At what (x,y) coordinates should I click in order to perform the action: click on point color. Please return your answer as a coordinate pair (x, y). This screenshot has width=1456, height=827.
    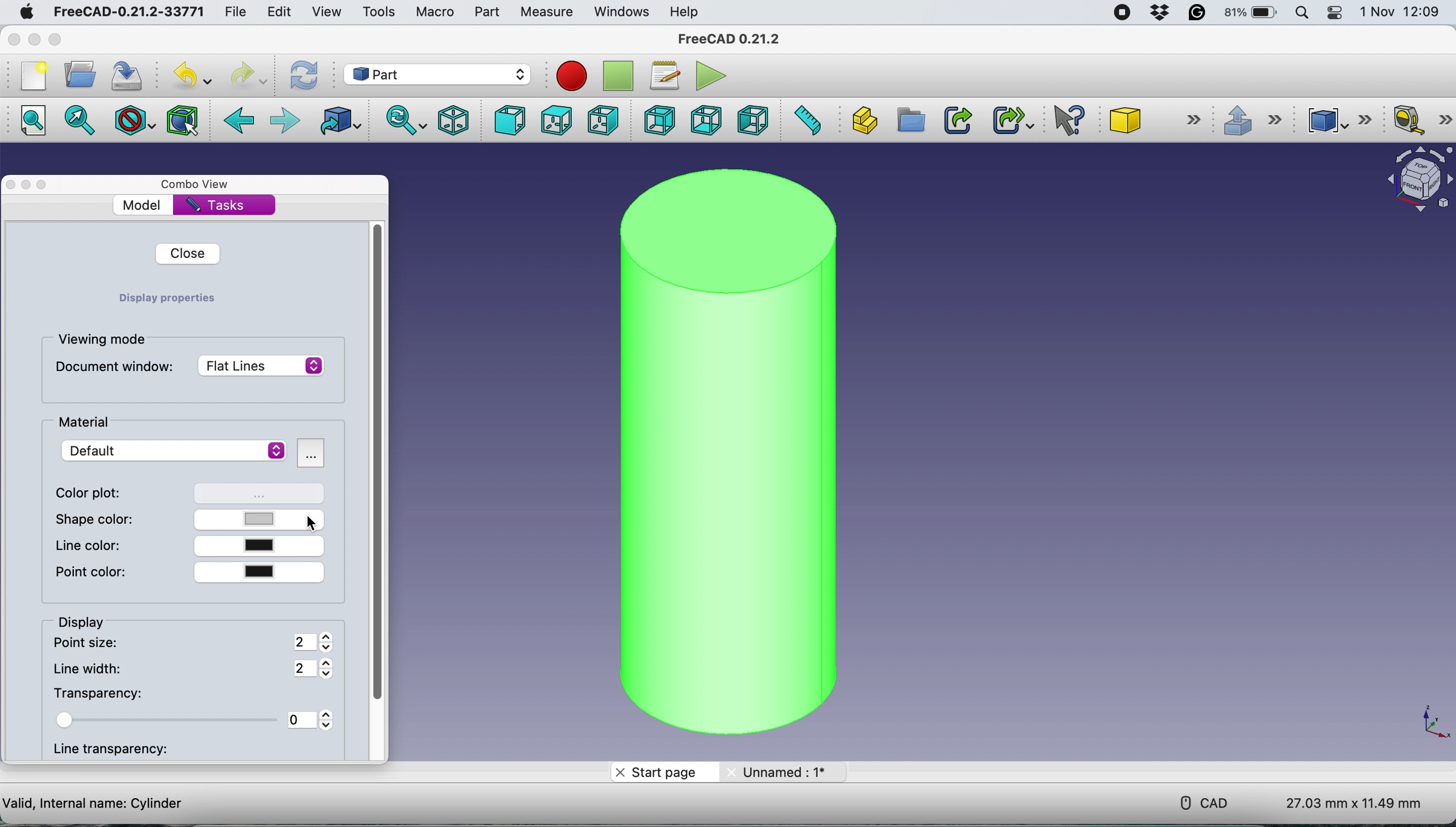
    Looking at the image, I should click on (187, 573).